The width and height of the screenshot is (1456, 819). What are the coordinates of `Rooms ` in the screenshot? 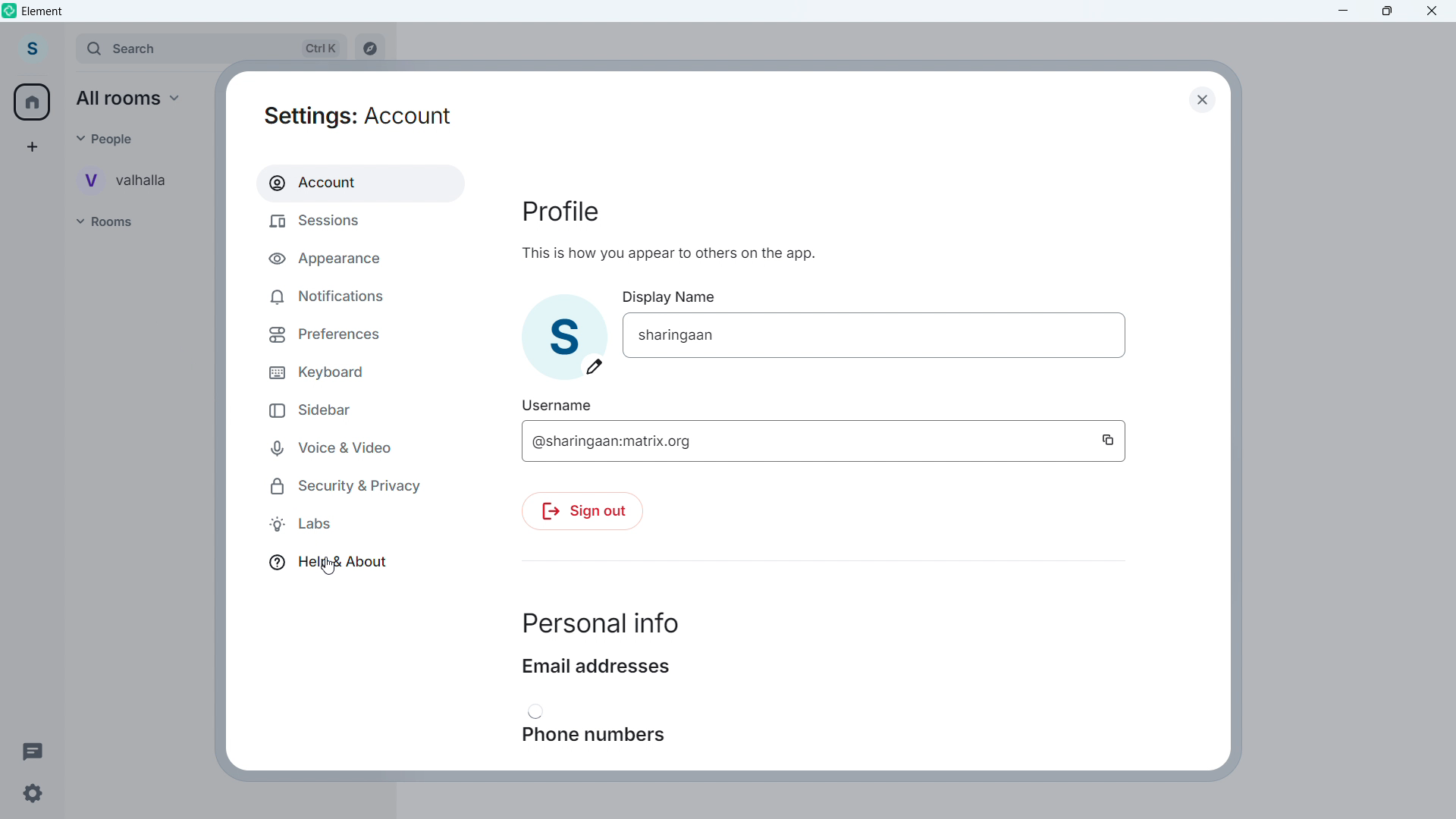 It's located at (118, 222).